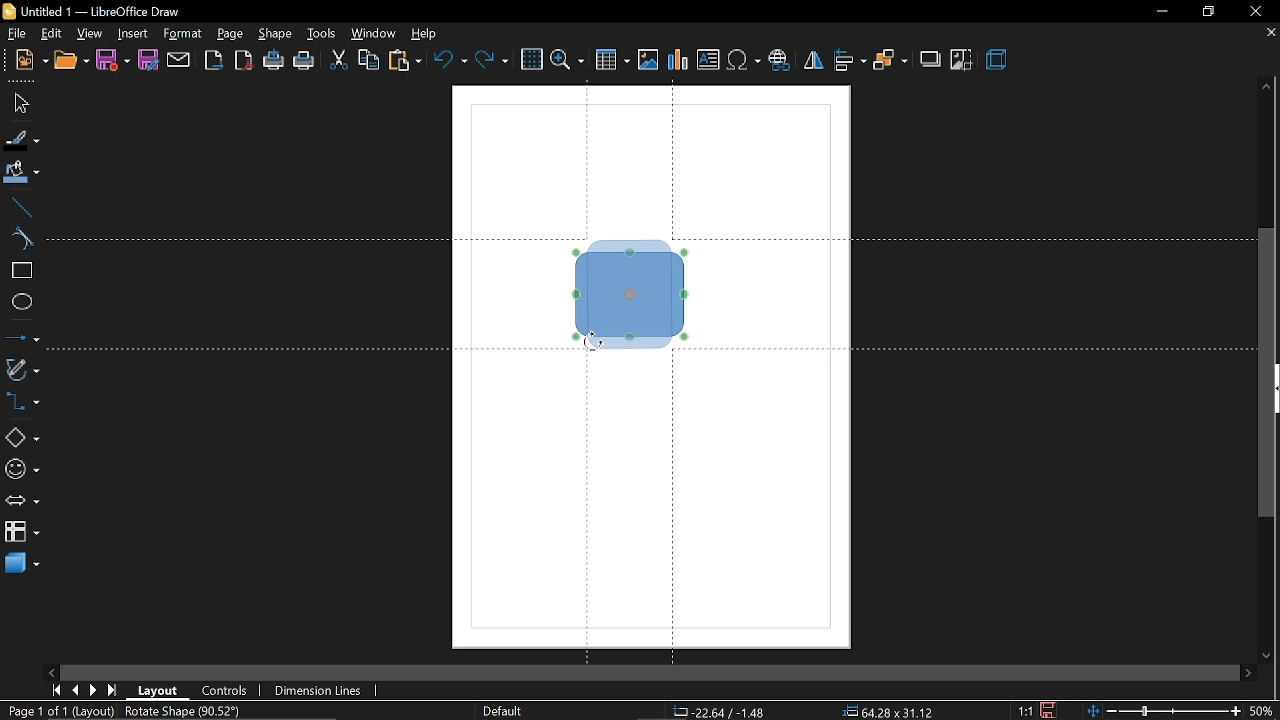  What do you see at coordinates (710, 61) in the screenshot?
I see `insert text` at bounding box center [710, 61].